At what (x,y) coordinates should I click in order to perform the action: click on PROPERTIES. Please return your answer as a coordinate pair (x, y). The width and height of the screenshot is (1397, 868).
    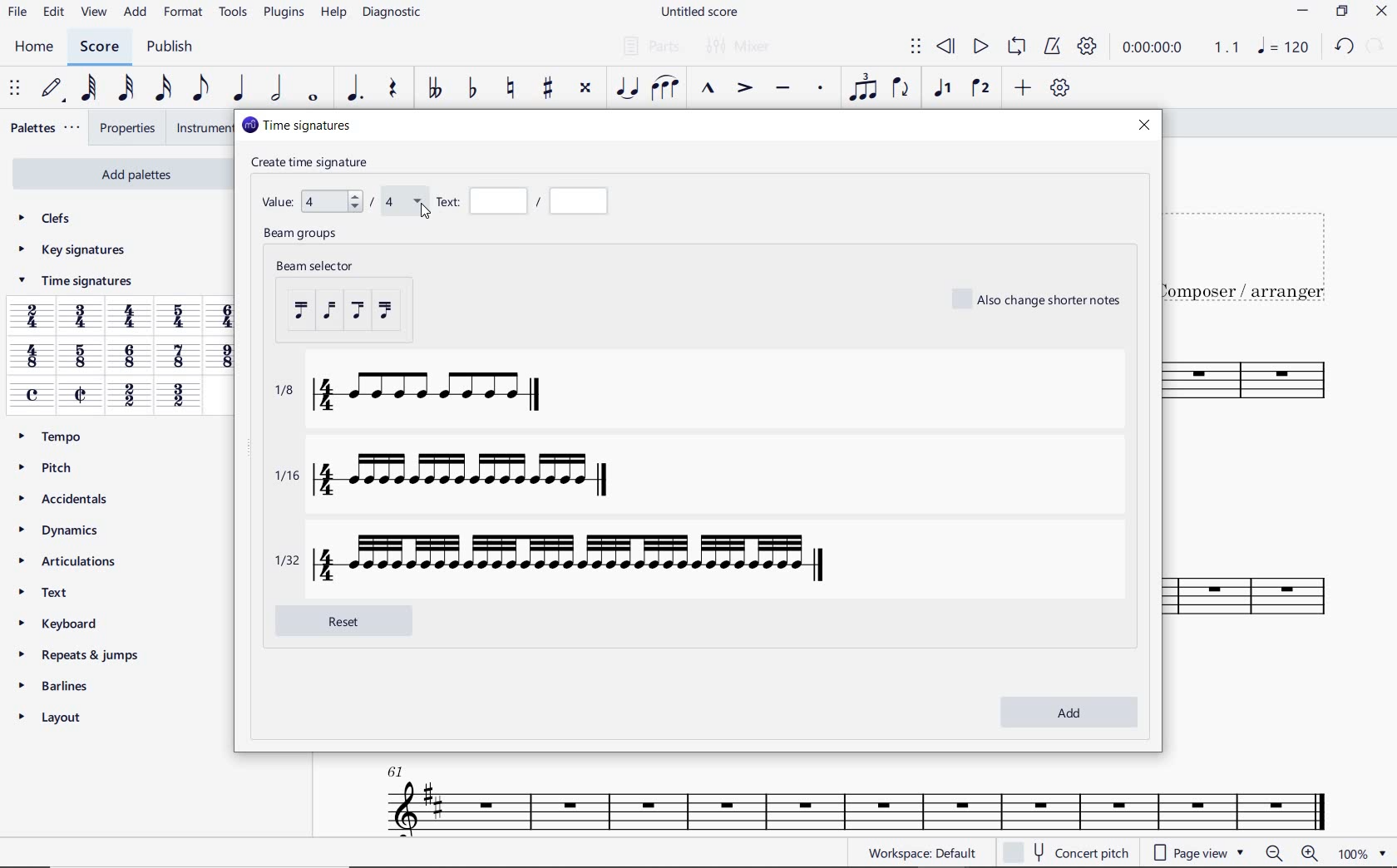
    Looking at the image, I should click on (126, 129).